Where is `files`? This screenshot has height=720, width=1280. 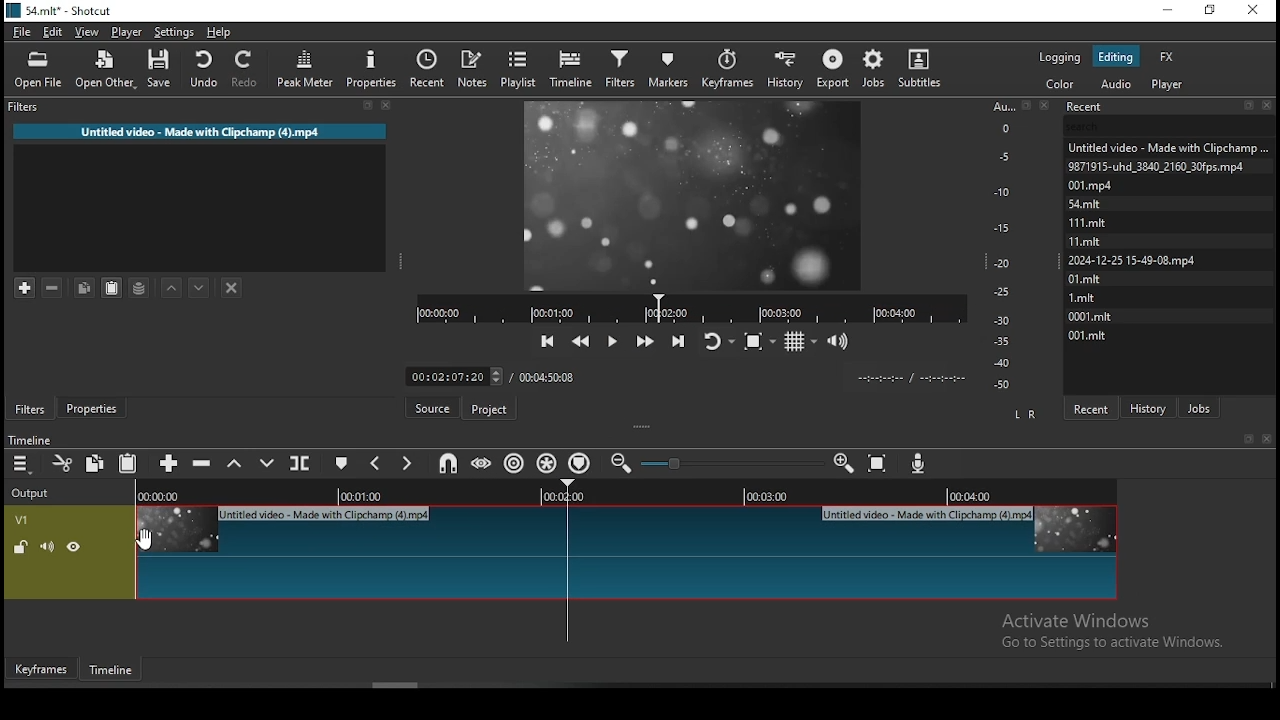 files is located at coordinates (1084, 220).